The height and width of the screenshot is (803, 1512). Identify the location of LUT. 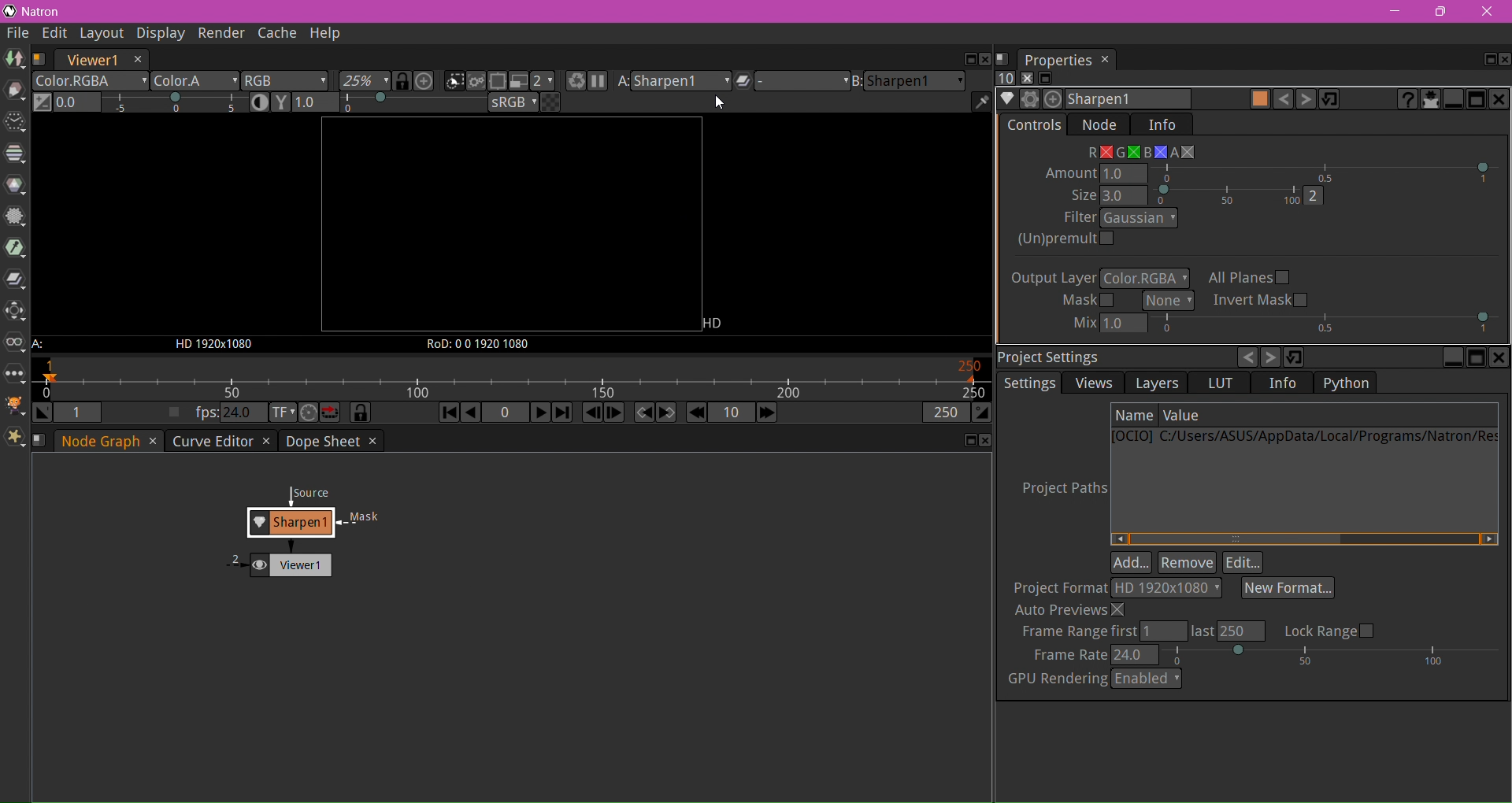
(1221, 383).